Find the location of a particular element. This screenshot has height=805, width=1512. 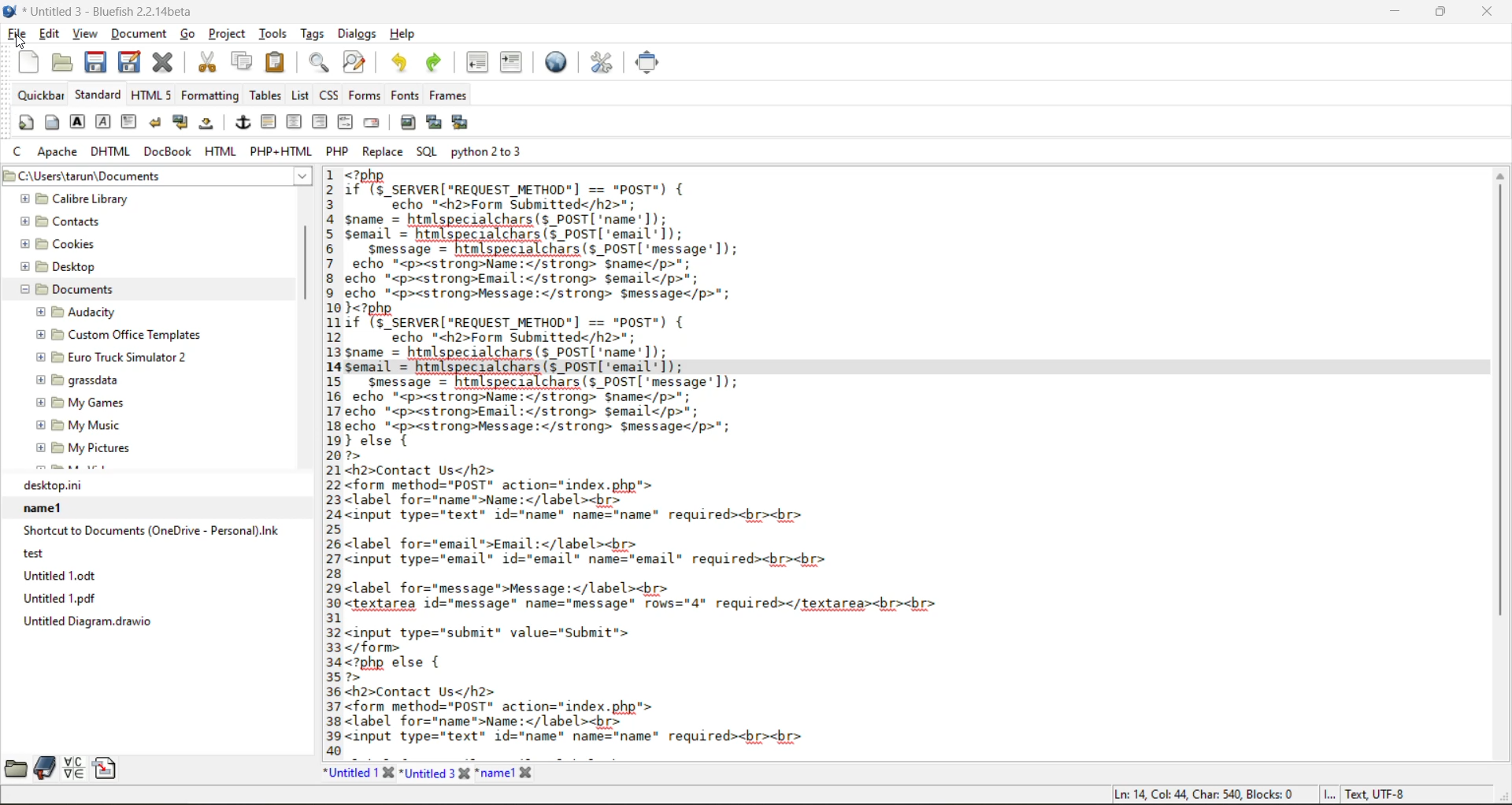

Untitled 1.odt is located at coordinates (157, 575).